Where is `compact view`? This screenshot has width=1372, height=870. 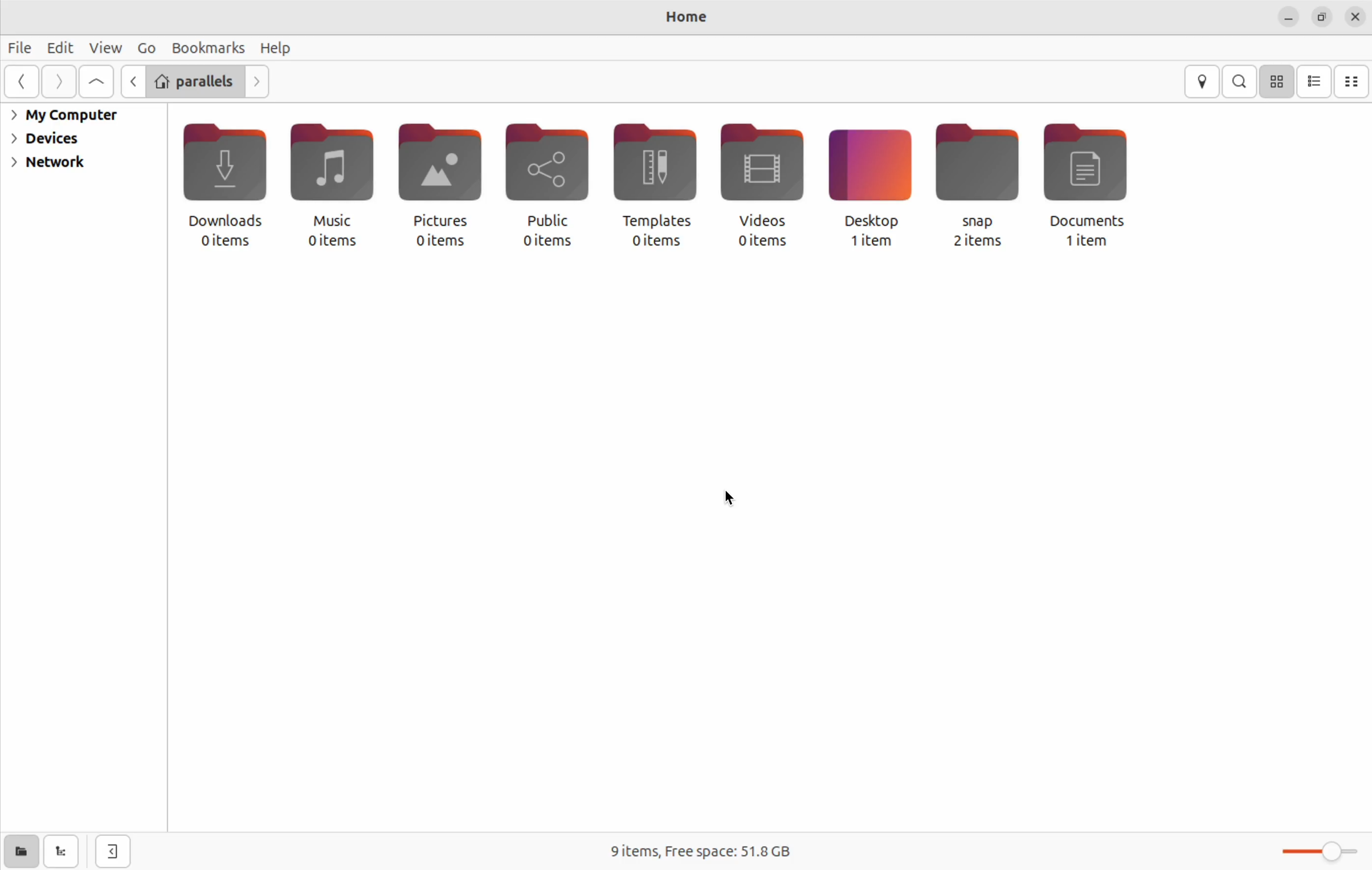
compact view is located at coordinates (1353, 81).